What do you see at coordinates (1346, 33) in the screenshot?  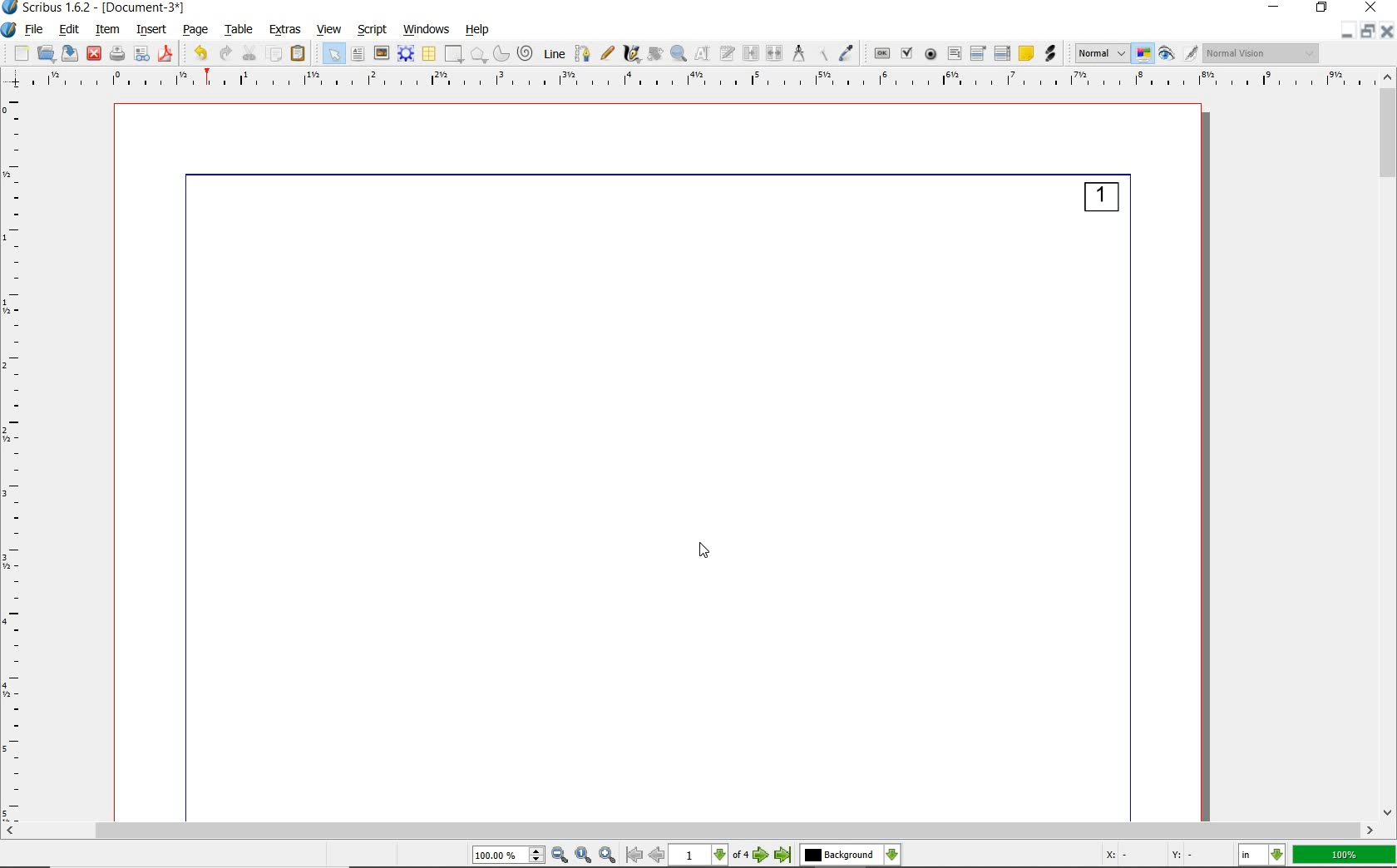 I see `Restore Down` at bounding box center [1346, 33].